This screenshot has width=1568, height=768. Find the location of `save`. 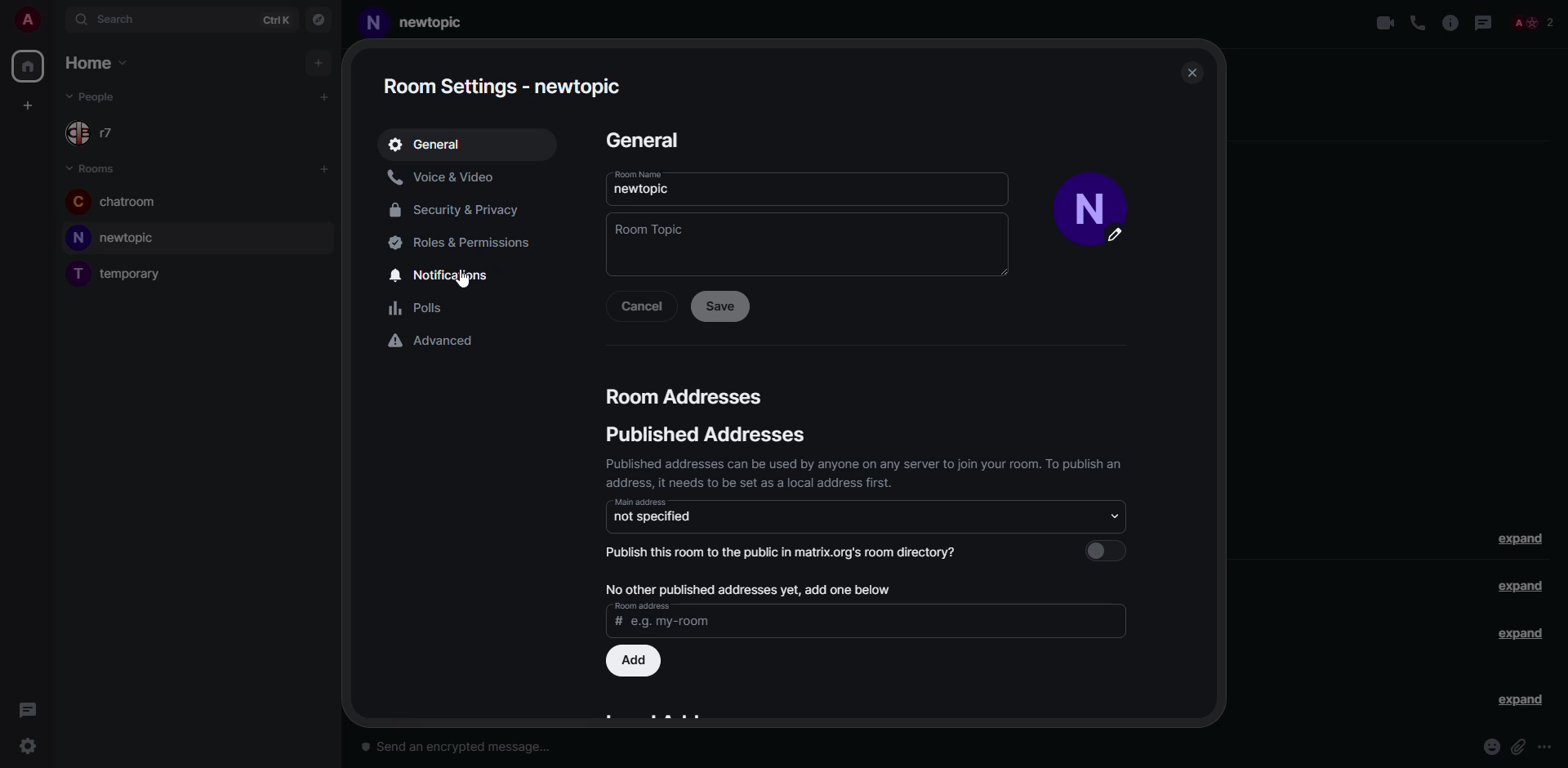

save is located at coordinates (721, 305).